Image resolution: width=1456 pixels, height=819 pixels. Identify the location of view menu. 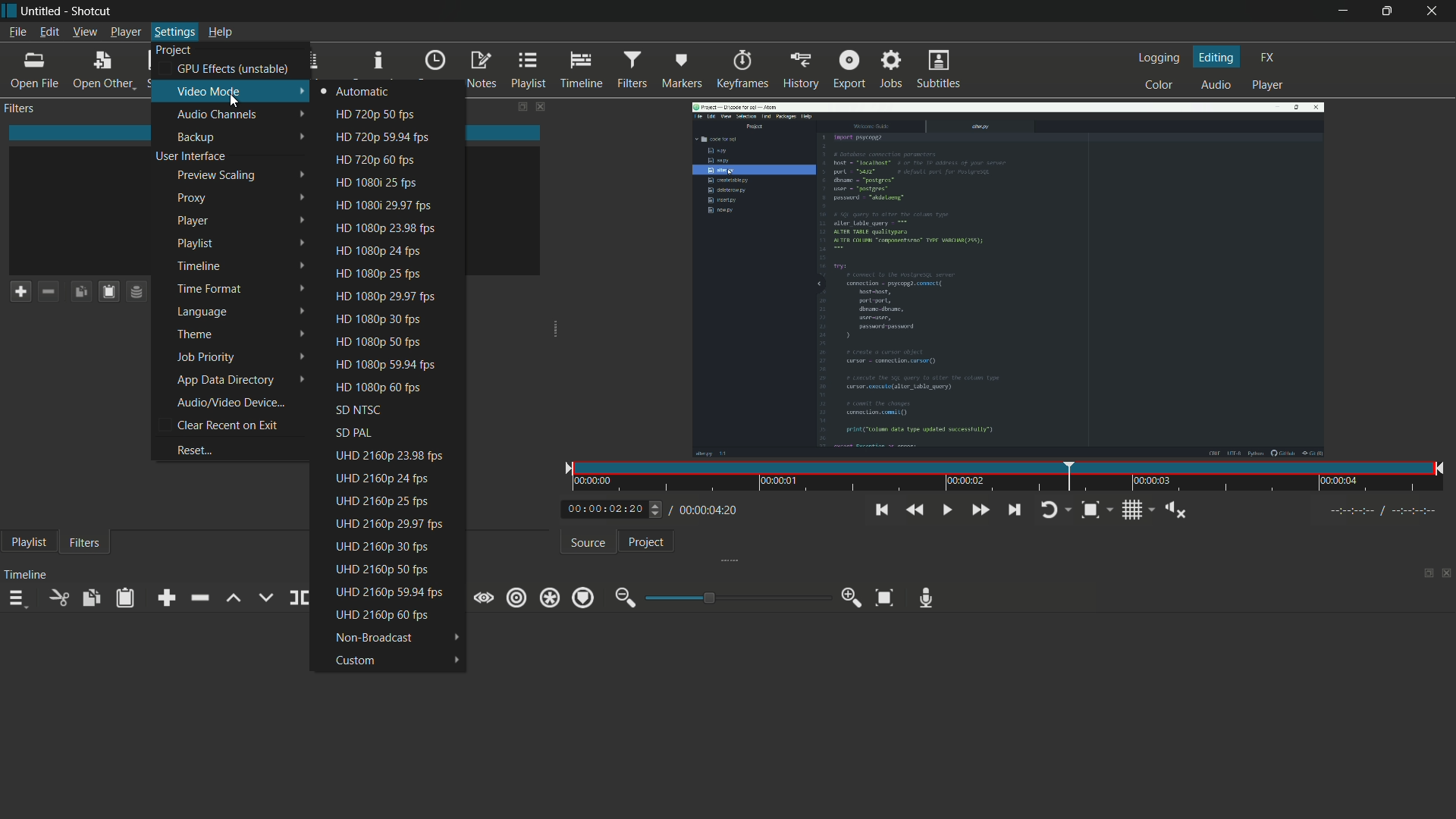
(85, 33).